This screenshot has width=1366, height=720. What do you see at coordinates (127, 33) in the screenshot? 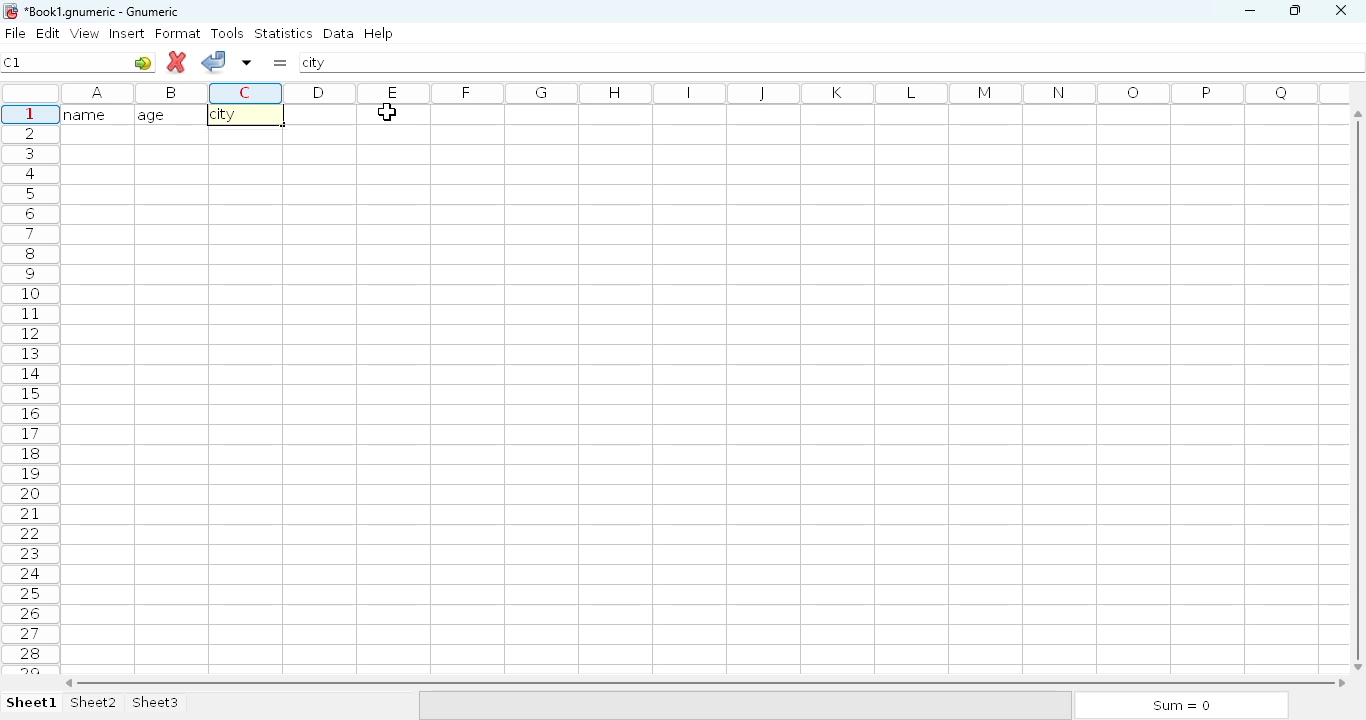
I see `insert` at bounding box center [127, 33].